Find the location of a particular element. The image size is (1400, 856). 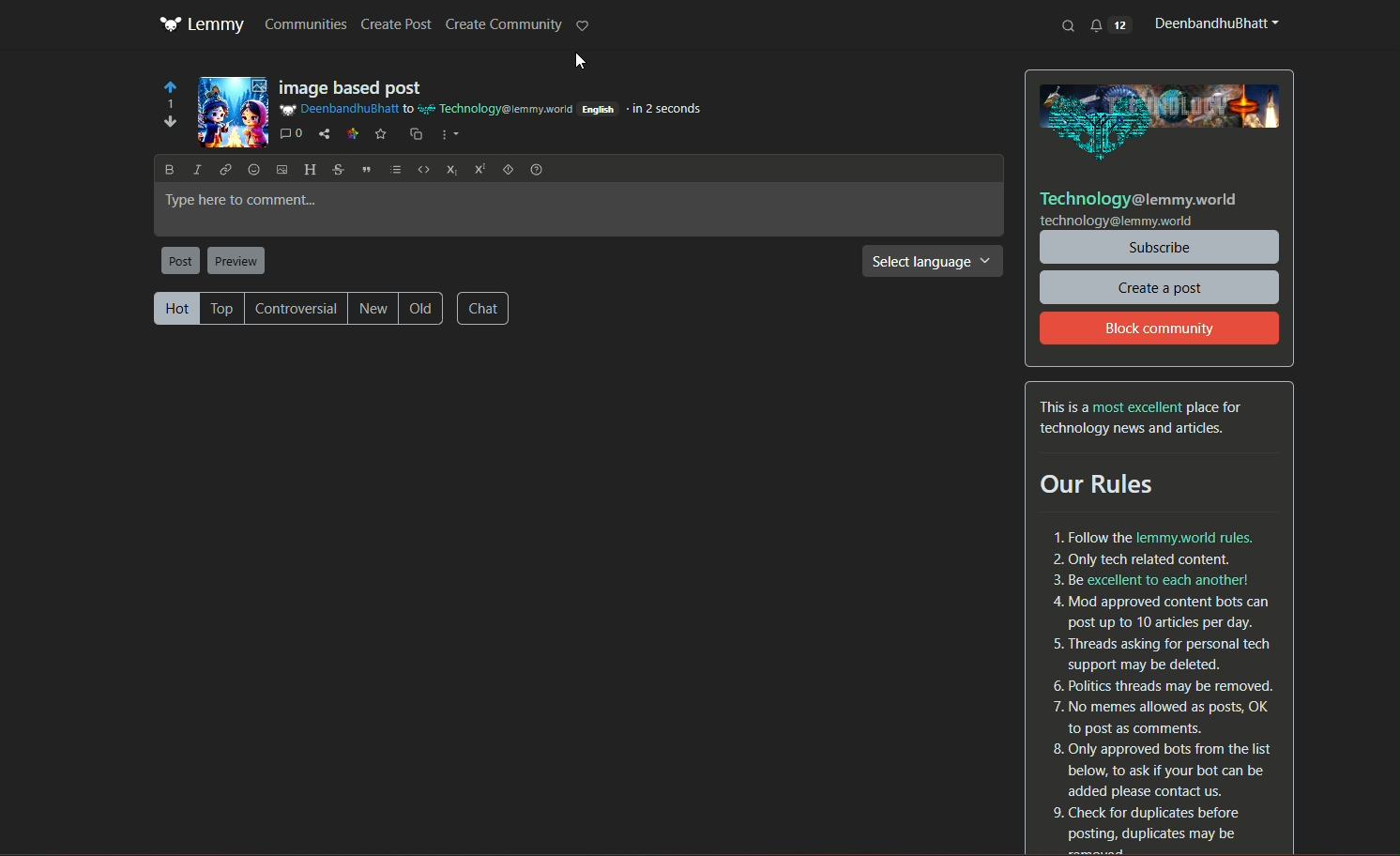

post is located at coordinates (180, 261).